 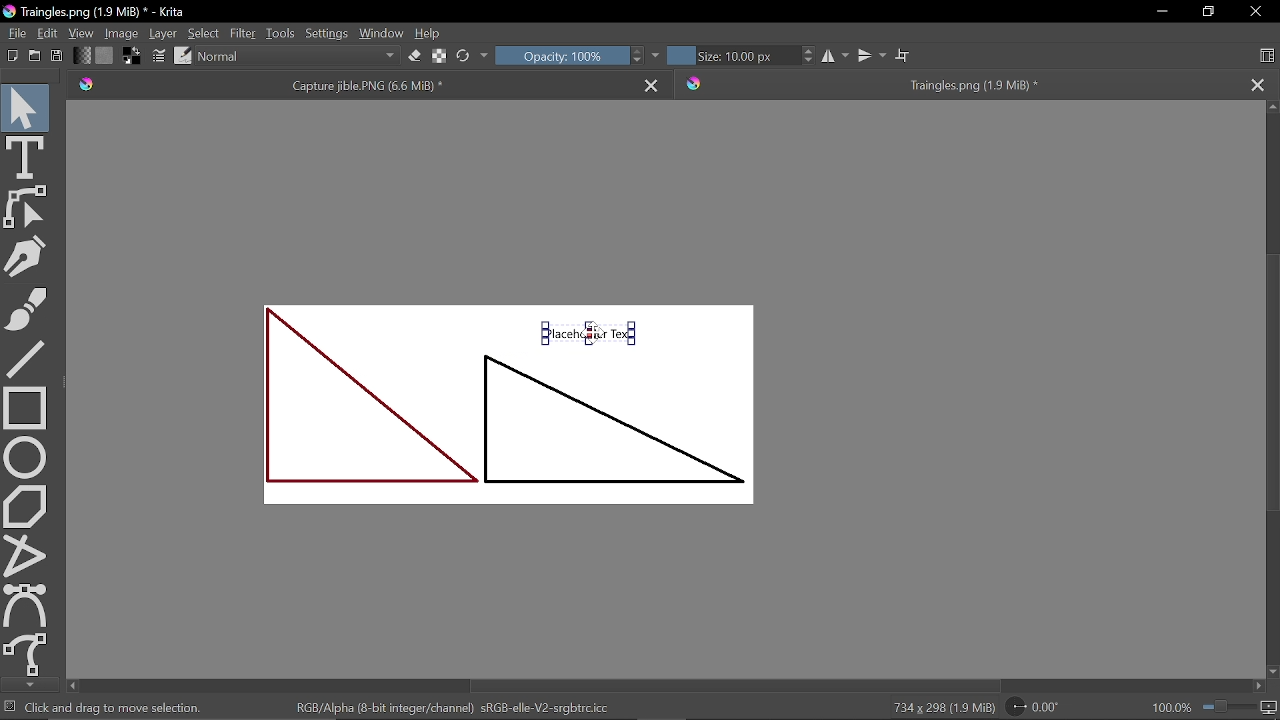 What do you see at coordinates (98, 12) in the screenshot?
I see `Traingles.png (1.9 MiB) * - Krita` at bounding box center [98, 12].